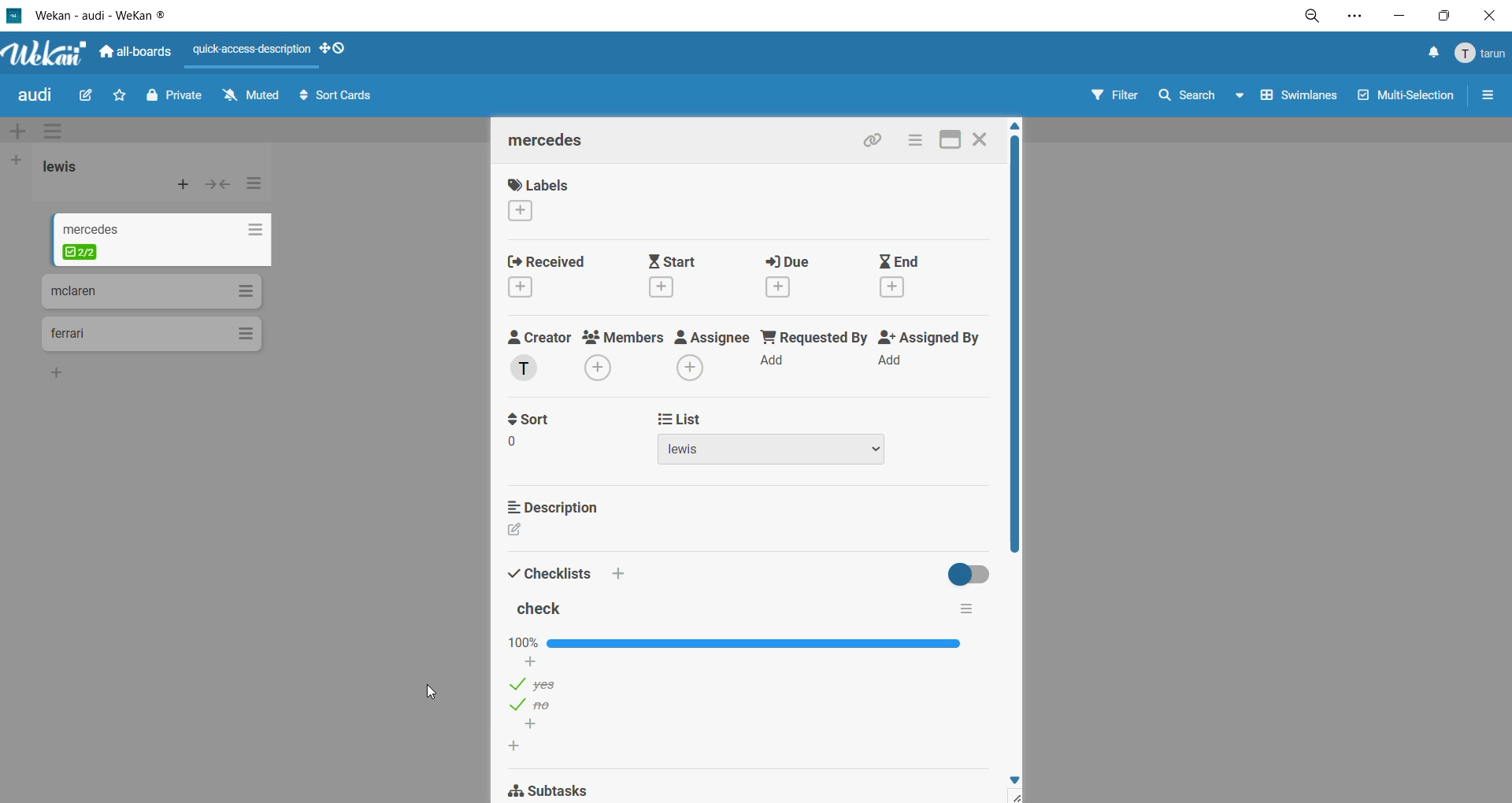  What do you see at coordinates (967, 609) in the screenshot?
I see `checklist options` at bounding box center [967, 609].